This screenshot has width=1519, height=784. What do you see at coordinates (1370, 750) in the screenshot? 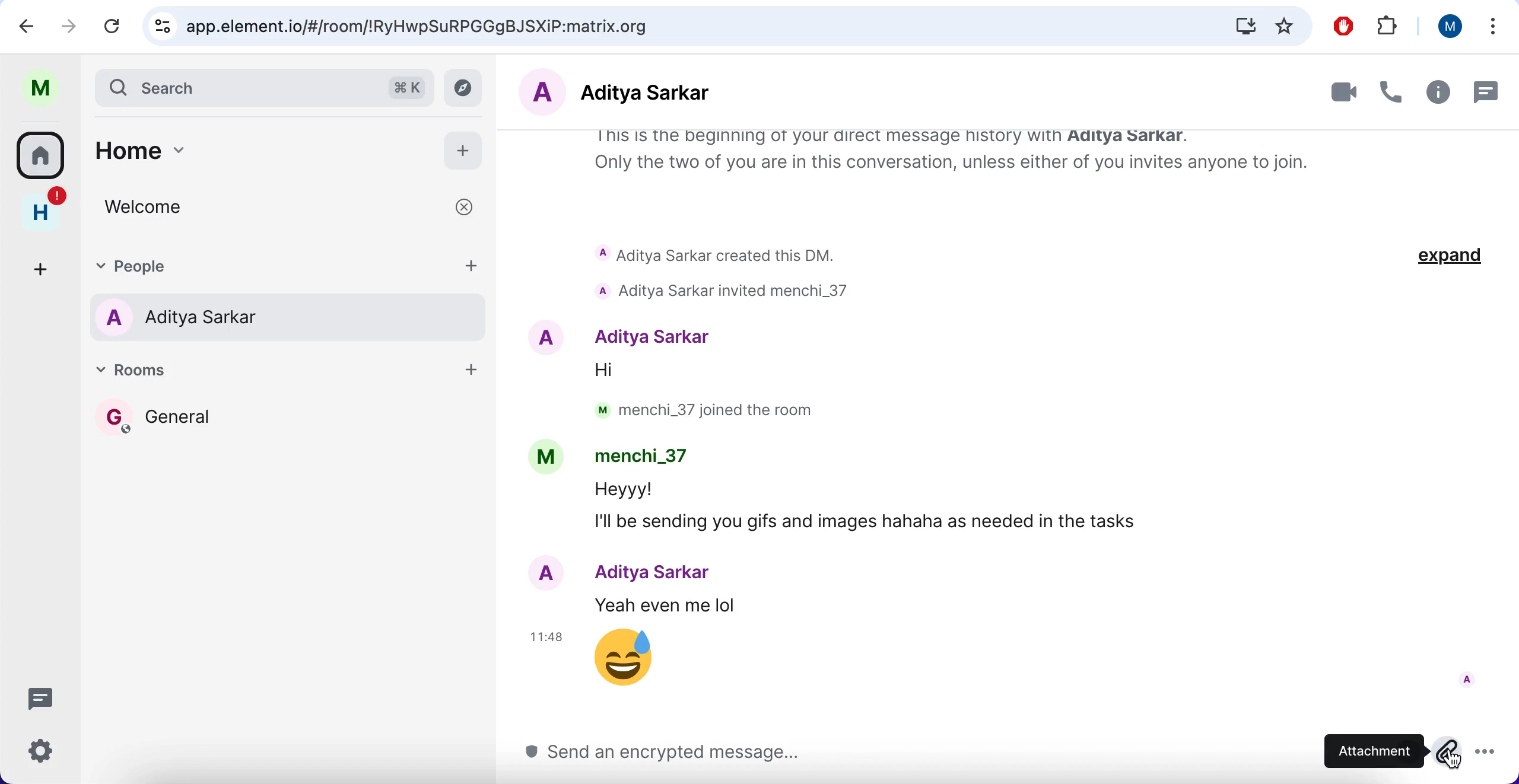
I see `attachment` at bounding box center [1370, 750].